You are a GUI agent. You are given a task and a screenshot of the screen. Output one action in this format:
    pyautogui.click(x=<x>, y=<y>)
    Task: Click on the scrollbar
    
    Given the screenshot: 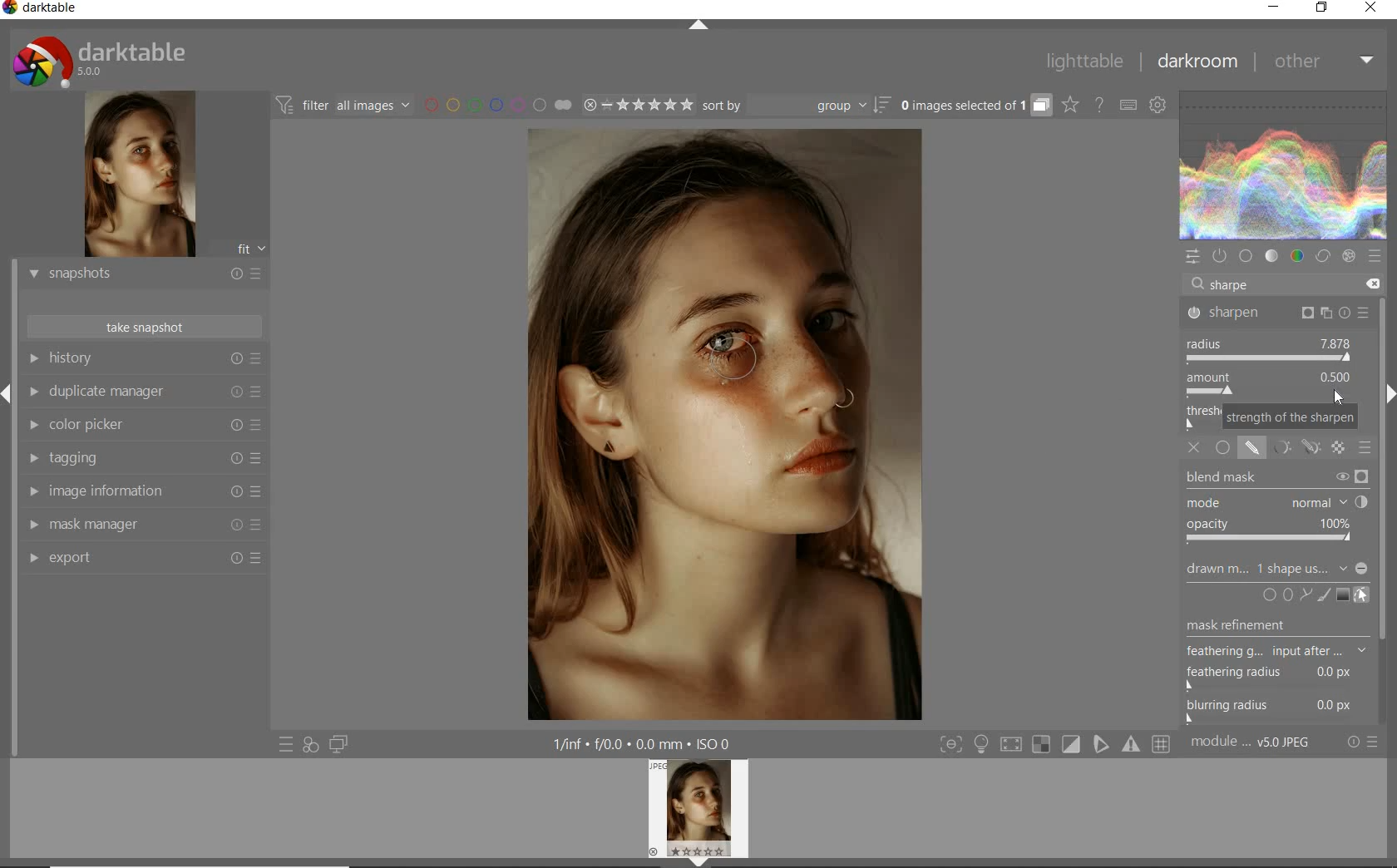 What is the action you would take?
    pyautogui.click(x=1387, y=510)
    